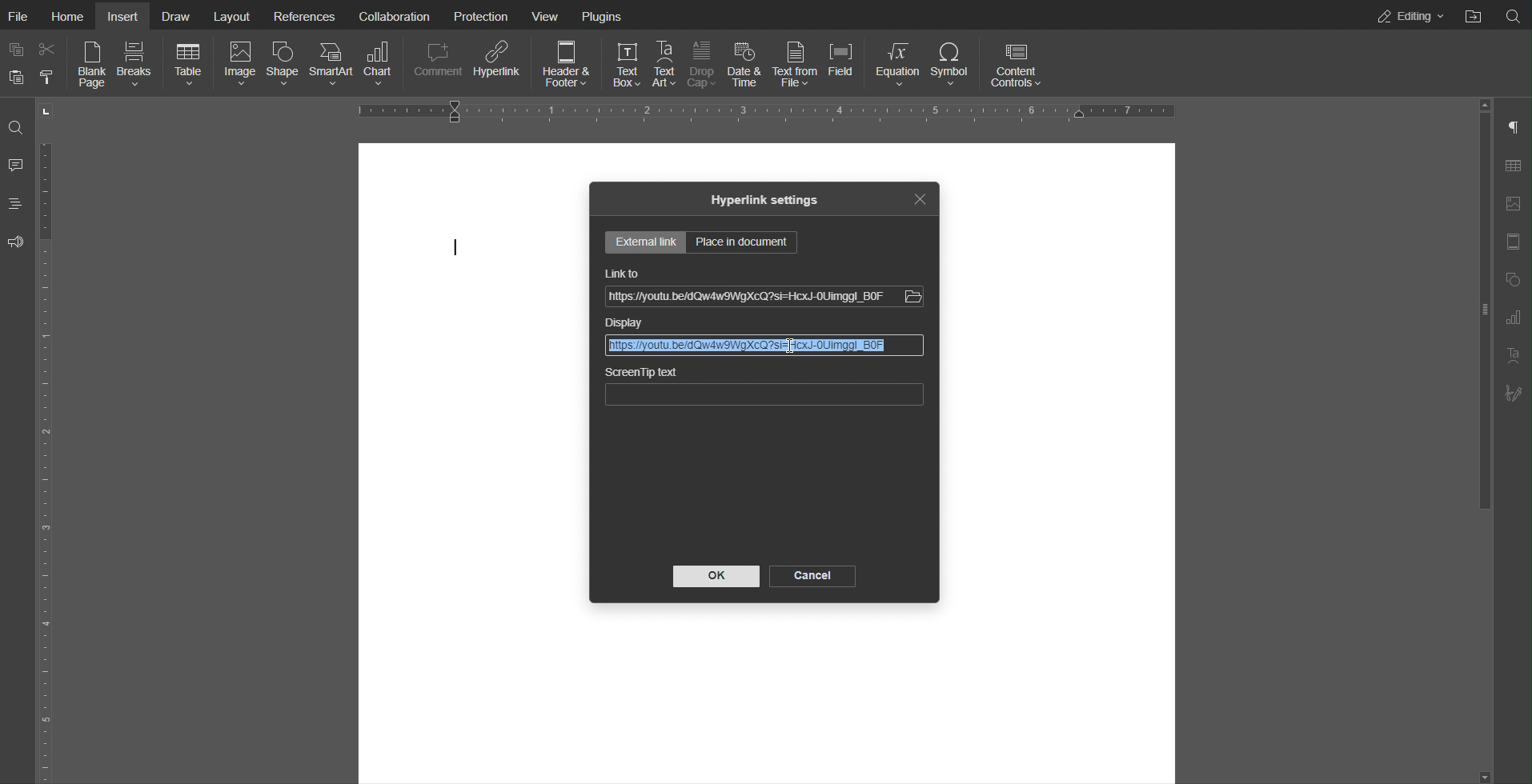 This screenshot has width=1532, height=784. What do you see at coordinates (704, 65) in the screenshot?
I see `Drop Cap` at bounding box center [704, 65].